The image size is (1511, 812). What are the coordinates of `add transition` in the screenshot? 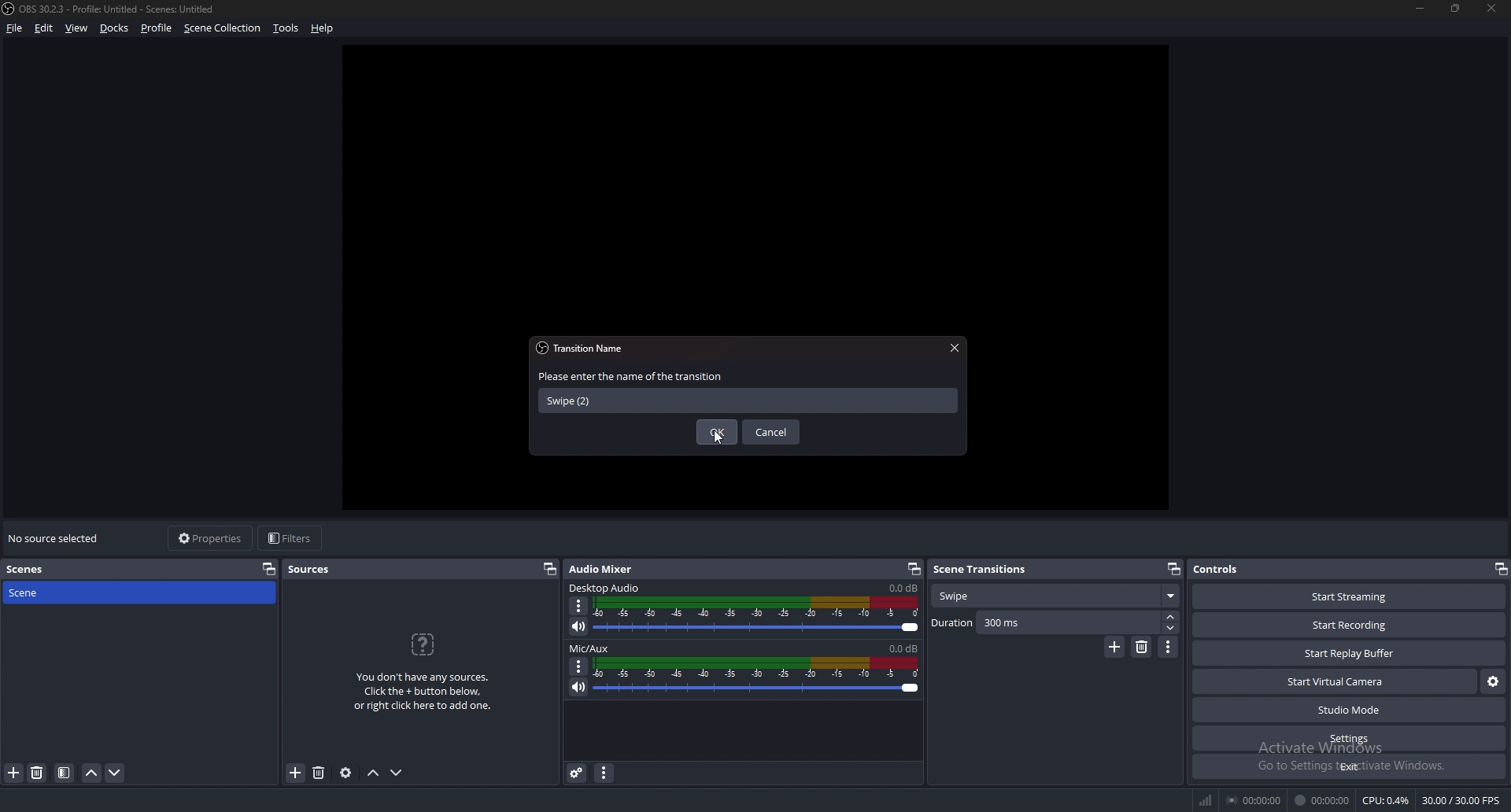 It's located at (1115, 648).